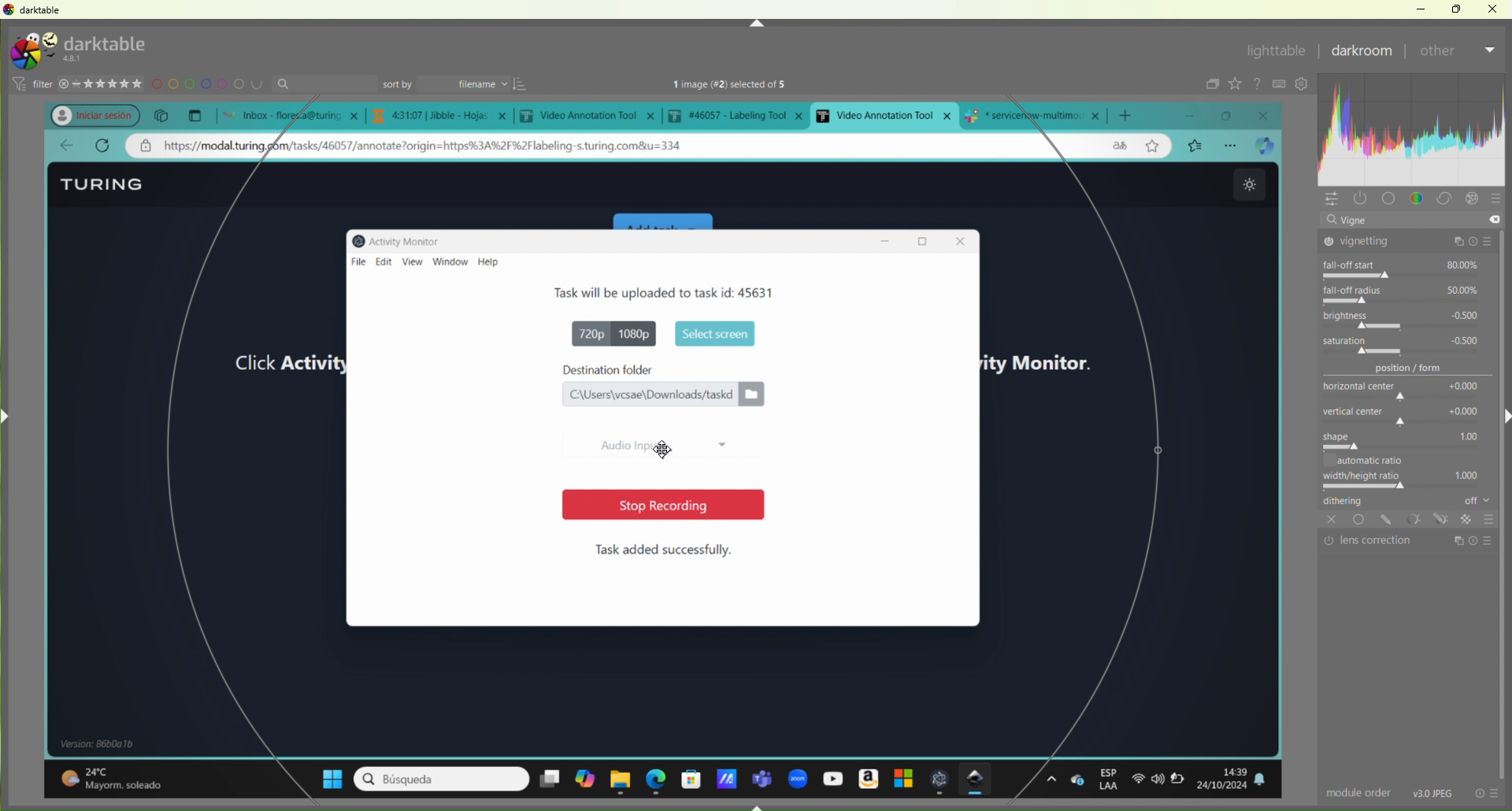  What do you see at coordinates (900, 780) in the screenshot?
I see `windows` at bounding box center [900, 780].